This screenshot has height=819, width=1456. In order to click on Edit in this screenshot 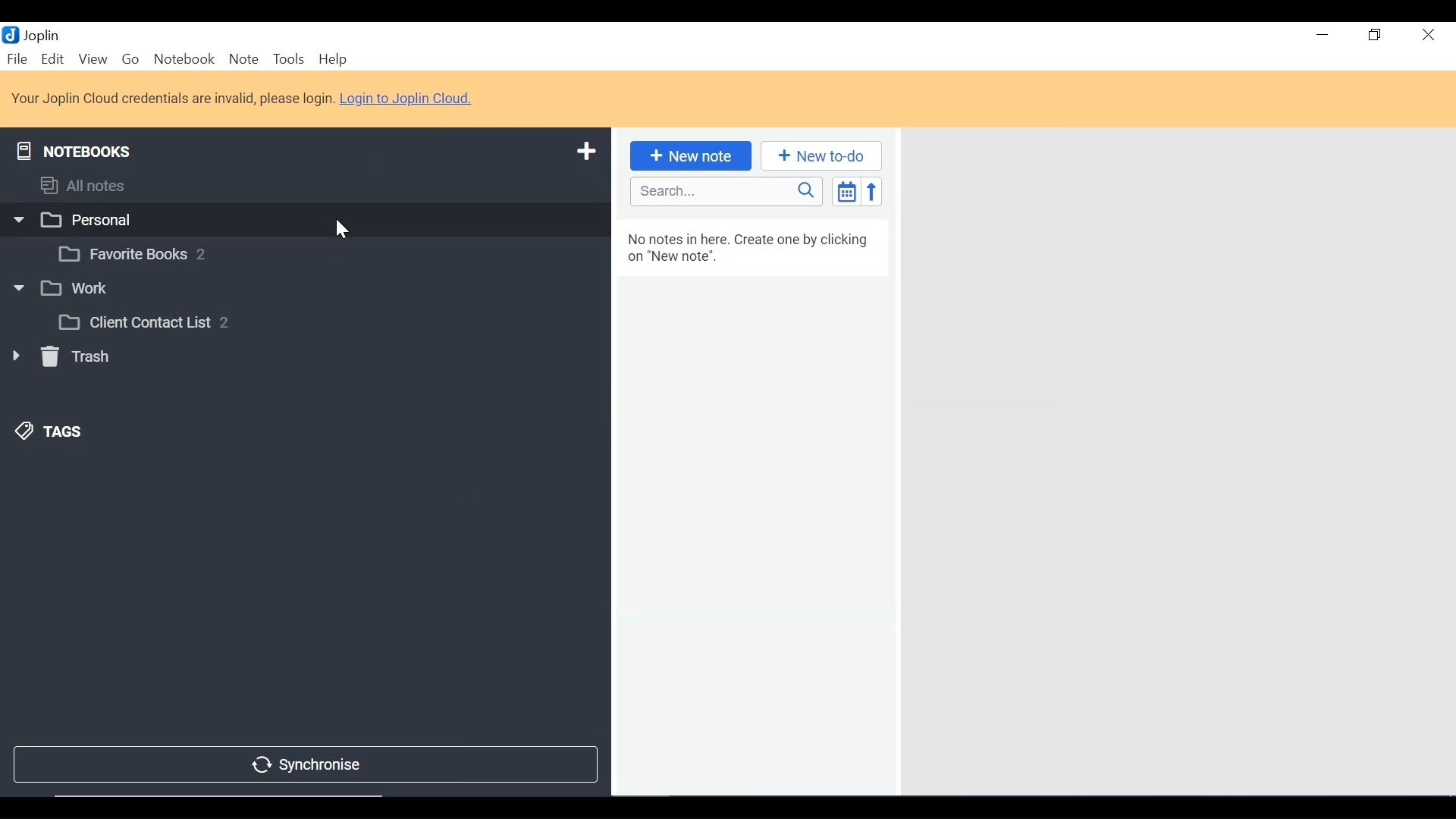, I will do `click(53, 60)`.